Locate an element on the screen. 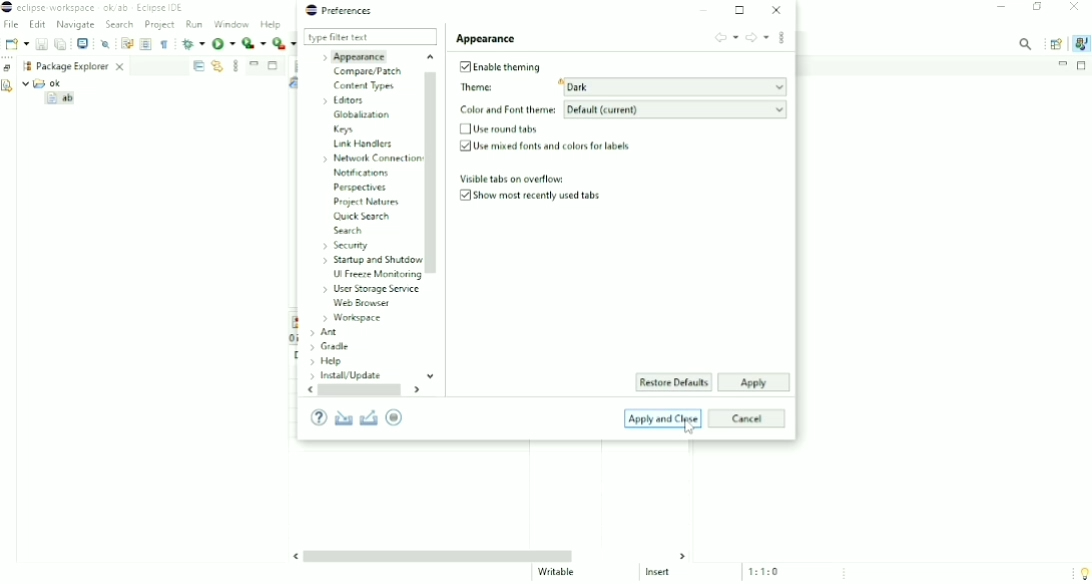  Import is located at coordinates (343, 417).